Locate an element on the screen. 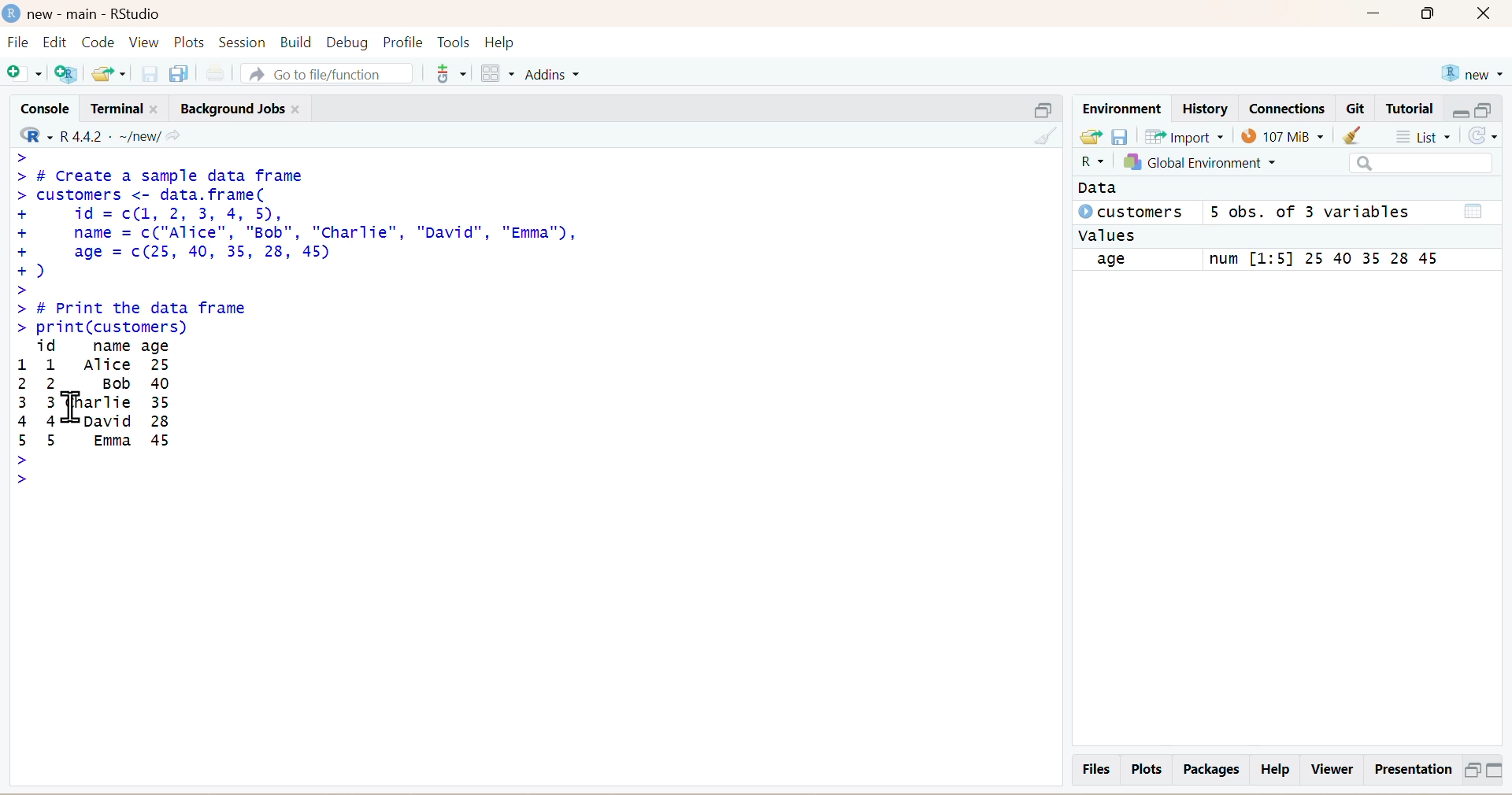 The width and height of the screenshot is (1512, 795). id name age 1 1 Alice 22 Bob 40 Charlie 35David 285 5 Emma 45>> is located at coordinates (129, 412).